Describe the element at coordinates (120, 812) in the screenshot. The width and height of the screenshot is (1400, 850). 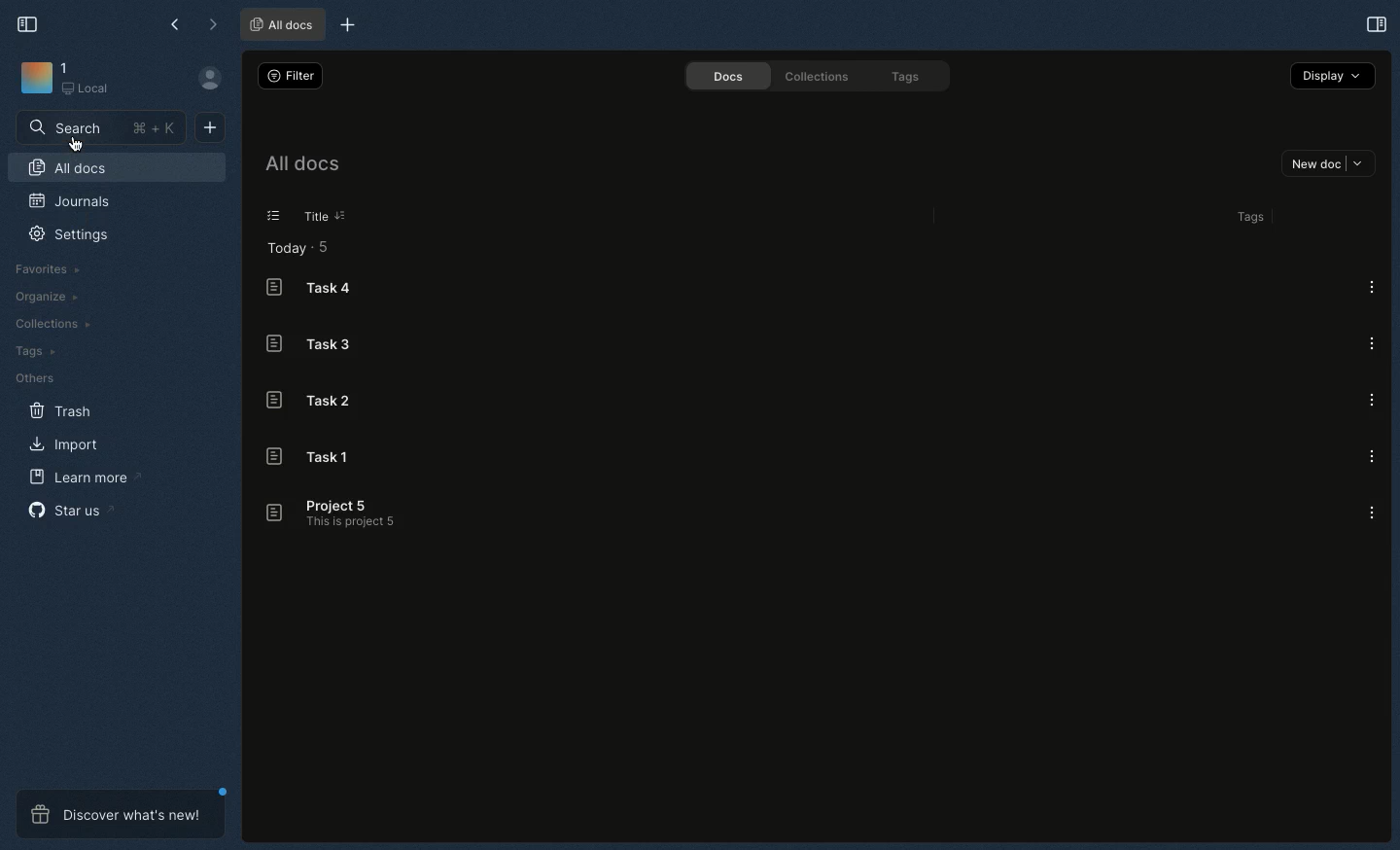
I see `Discover what's new` at that location.